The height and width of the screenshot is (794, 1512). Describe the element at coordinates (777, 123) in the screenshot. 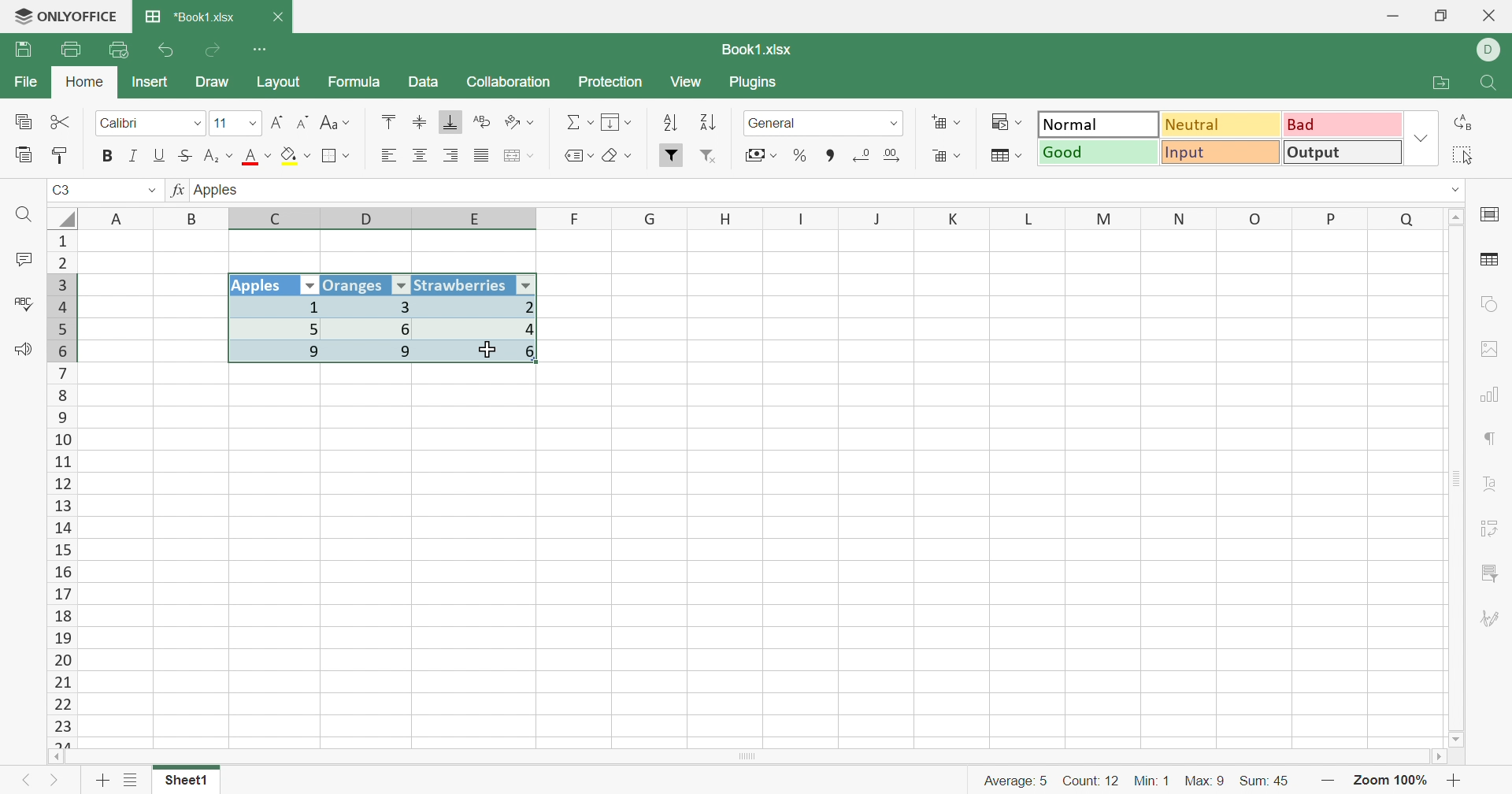

I see `General` at that location.